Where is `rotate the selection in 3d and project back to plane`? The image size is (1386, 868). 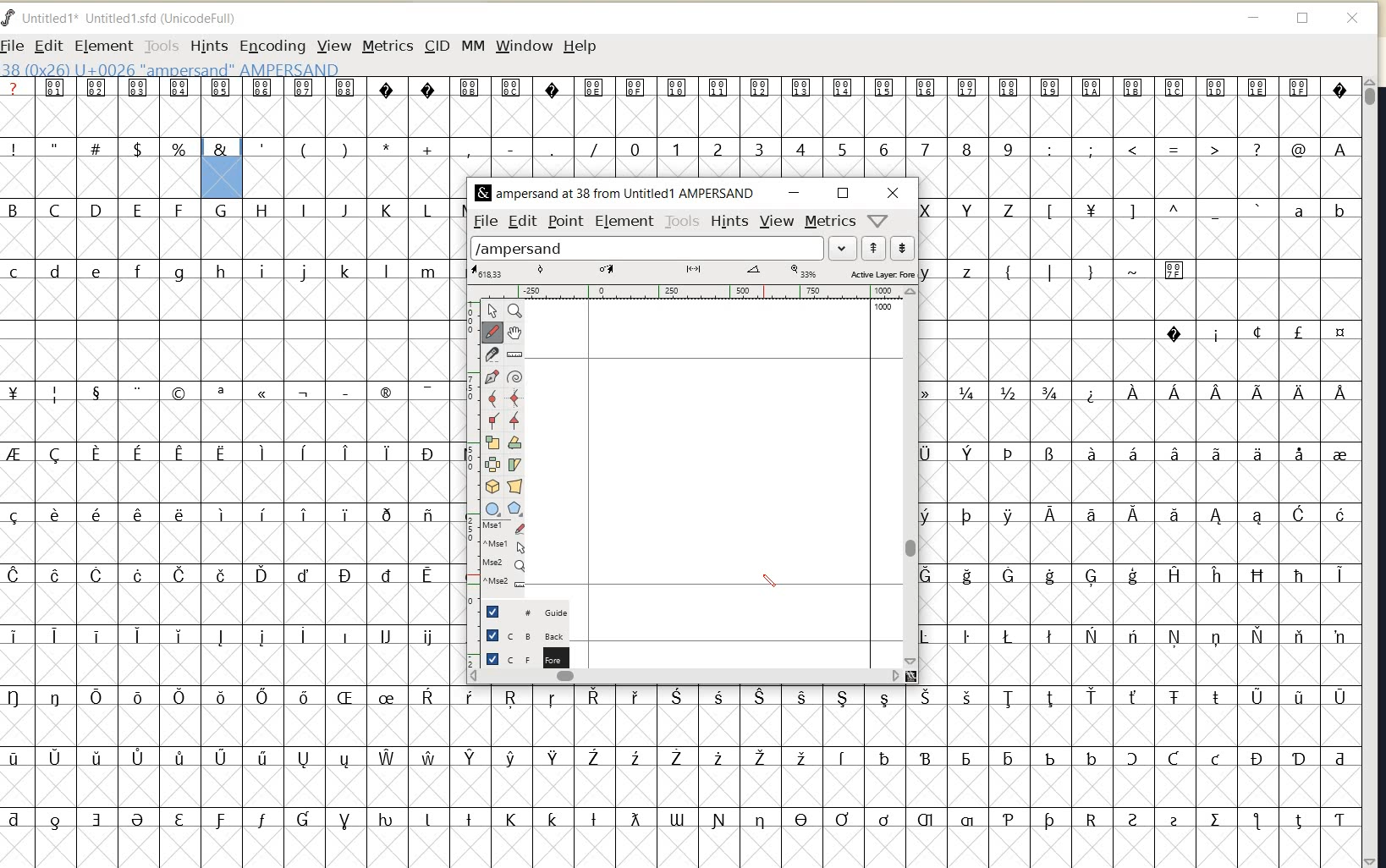 rotate the selection in 3d and project back to plane is located at coordinates (492, 486).